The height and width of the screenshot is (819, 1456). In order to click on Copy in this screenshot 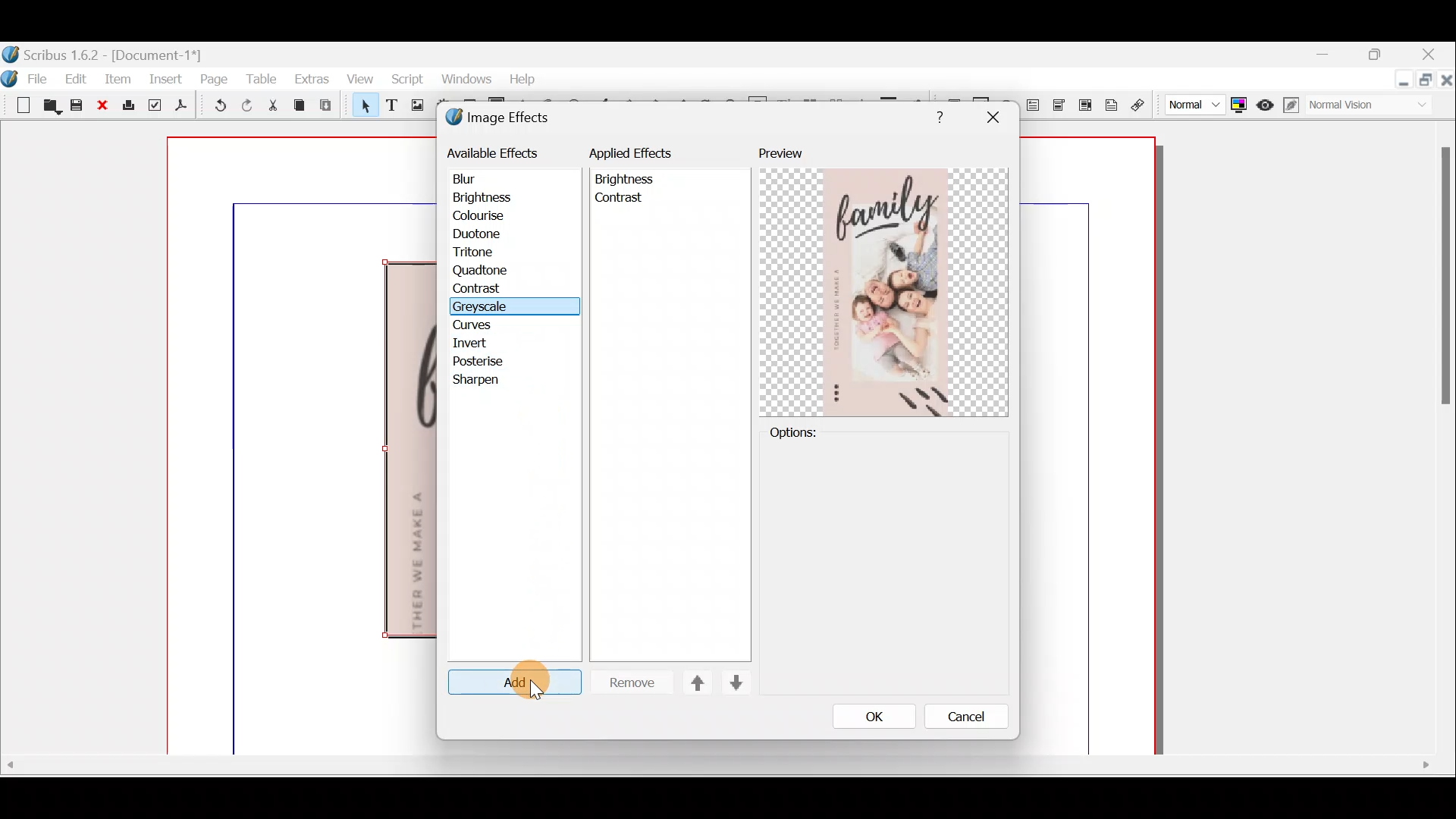, I will do `click(303, 106)`.